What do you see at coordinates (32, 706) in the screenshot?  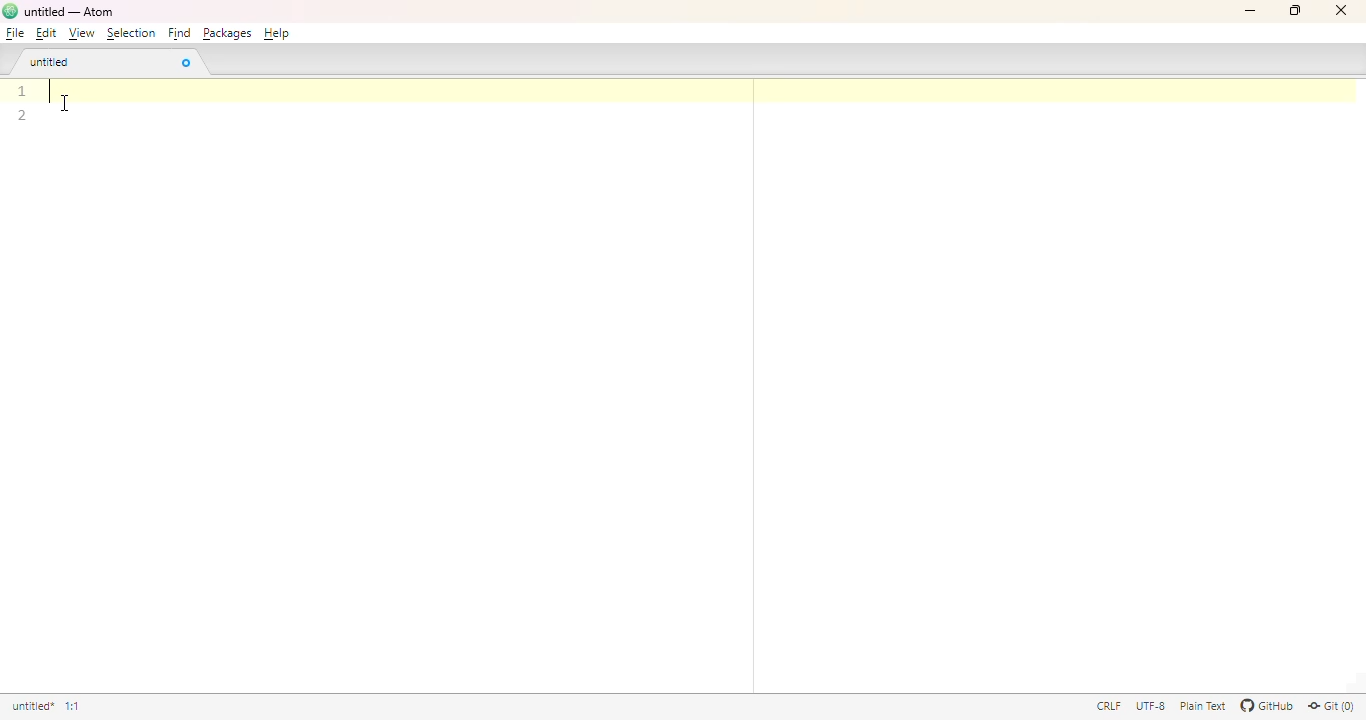 I see `untitled` at bounding box center [32, 706].